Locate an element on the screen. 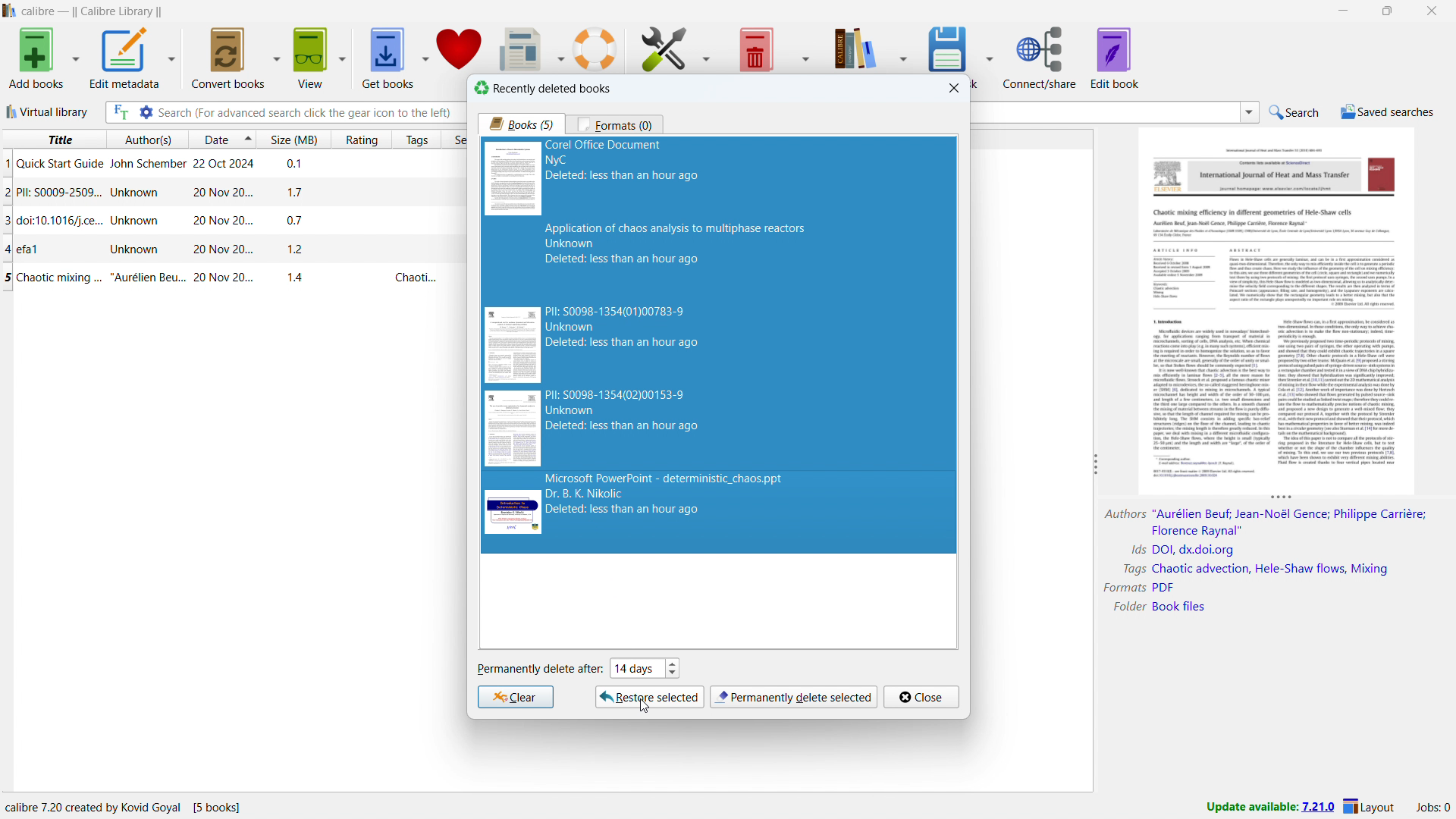  5 books selected is located at coordinates (719, 347).